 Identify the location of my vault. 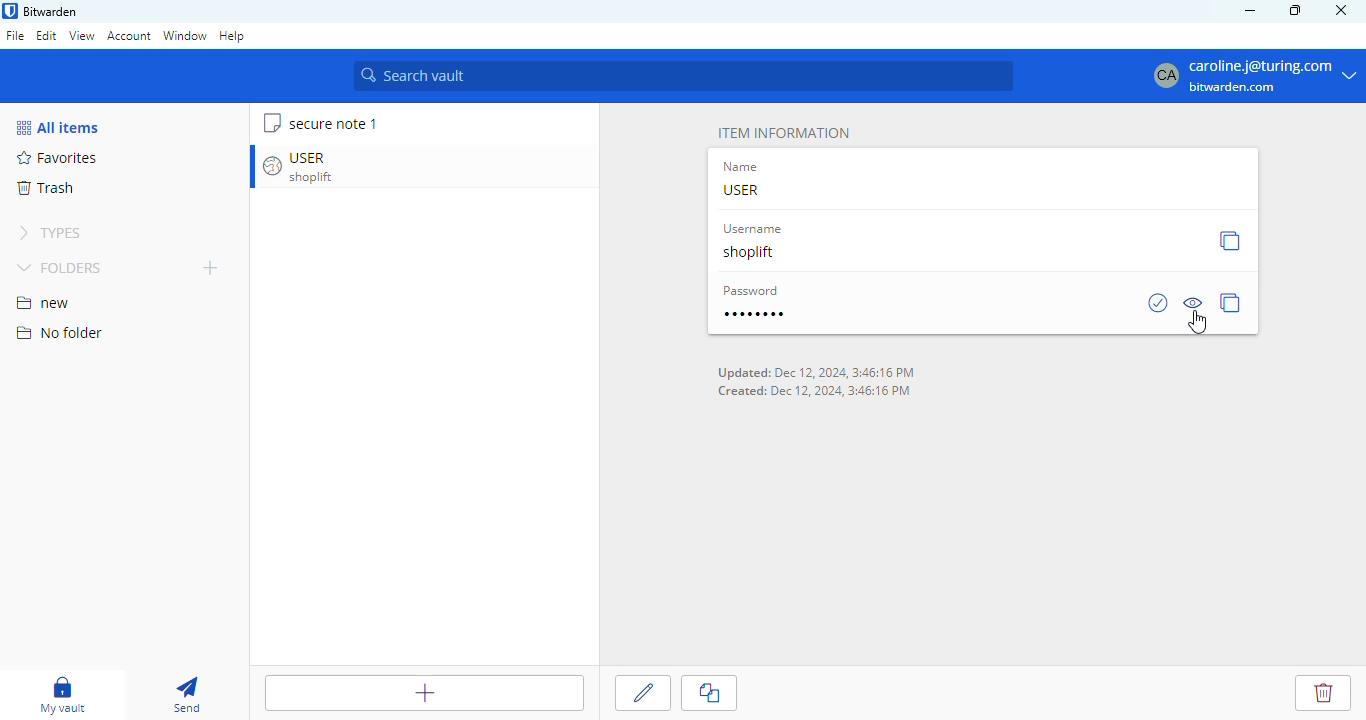
(63, 695).